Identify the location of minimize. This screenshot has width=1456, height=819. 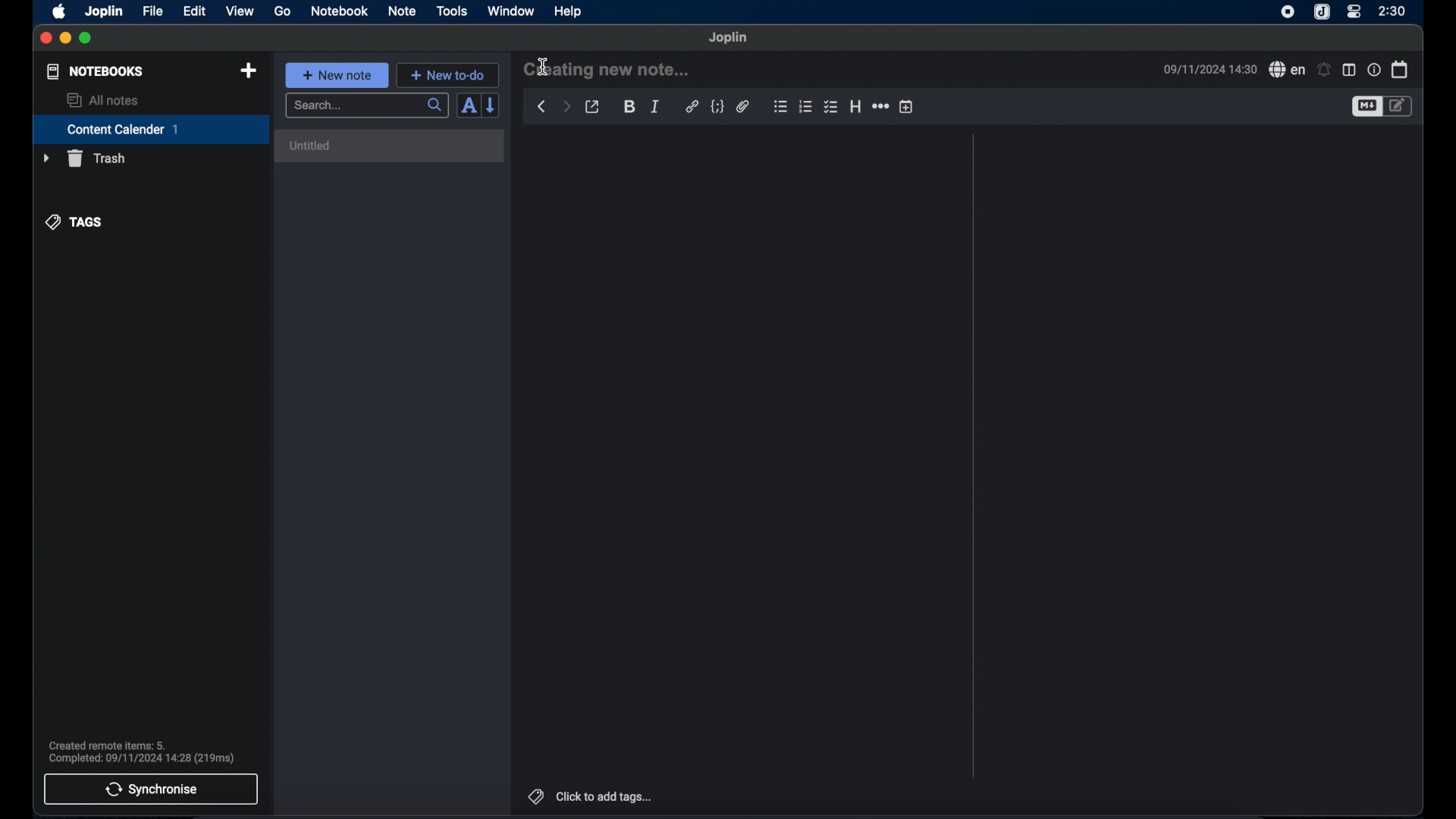
(64, 39).